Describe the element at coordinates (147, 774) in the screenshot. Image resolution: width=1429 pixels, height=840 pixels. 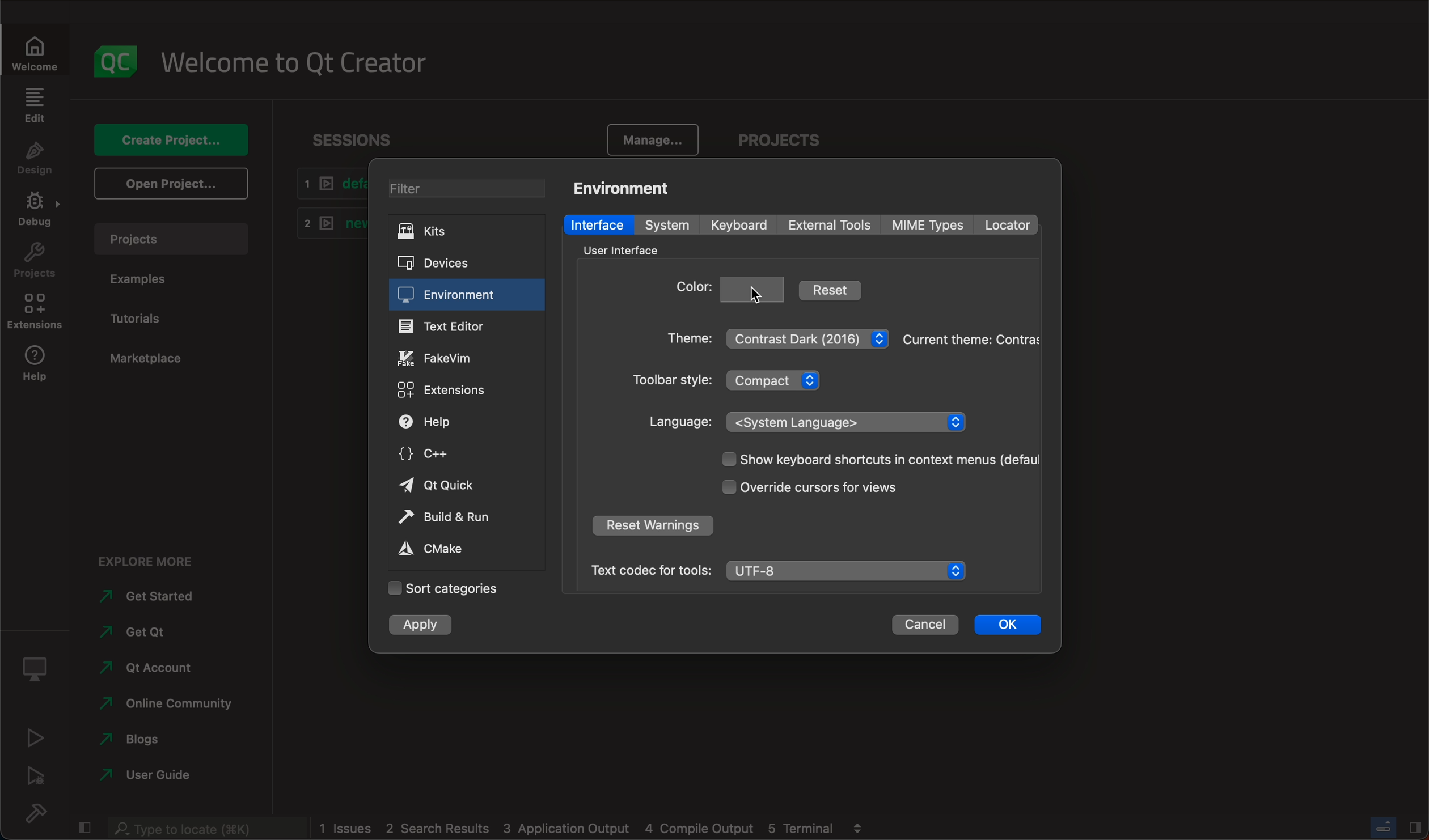
I see `user ` at that location.